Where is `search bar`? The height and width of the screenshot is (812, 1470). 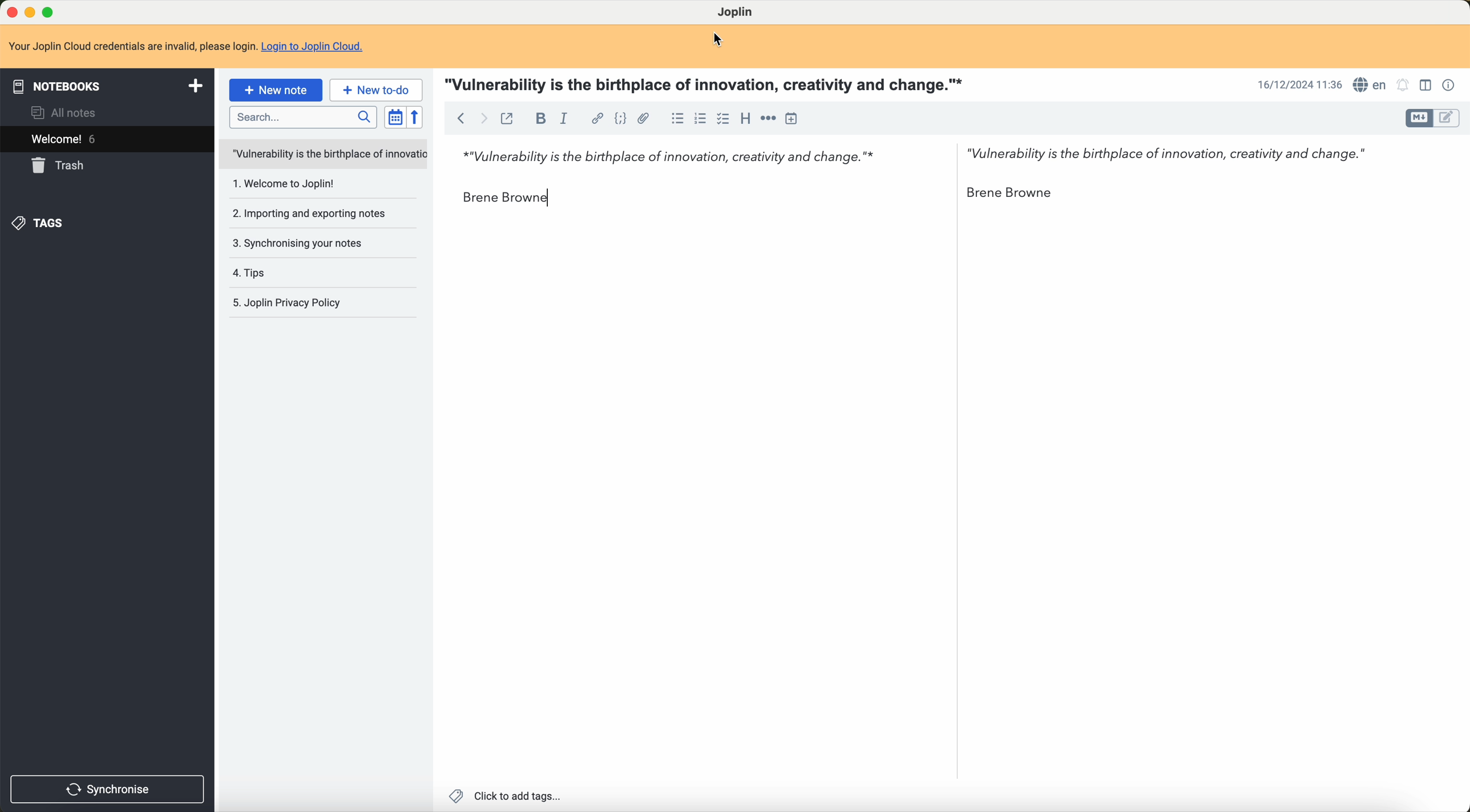
search bar is located at coordinates (300, 116).